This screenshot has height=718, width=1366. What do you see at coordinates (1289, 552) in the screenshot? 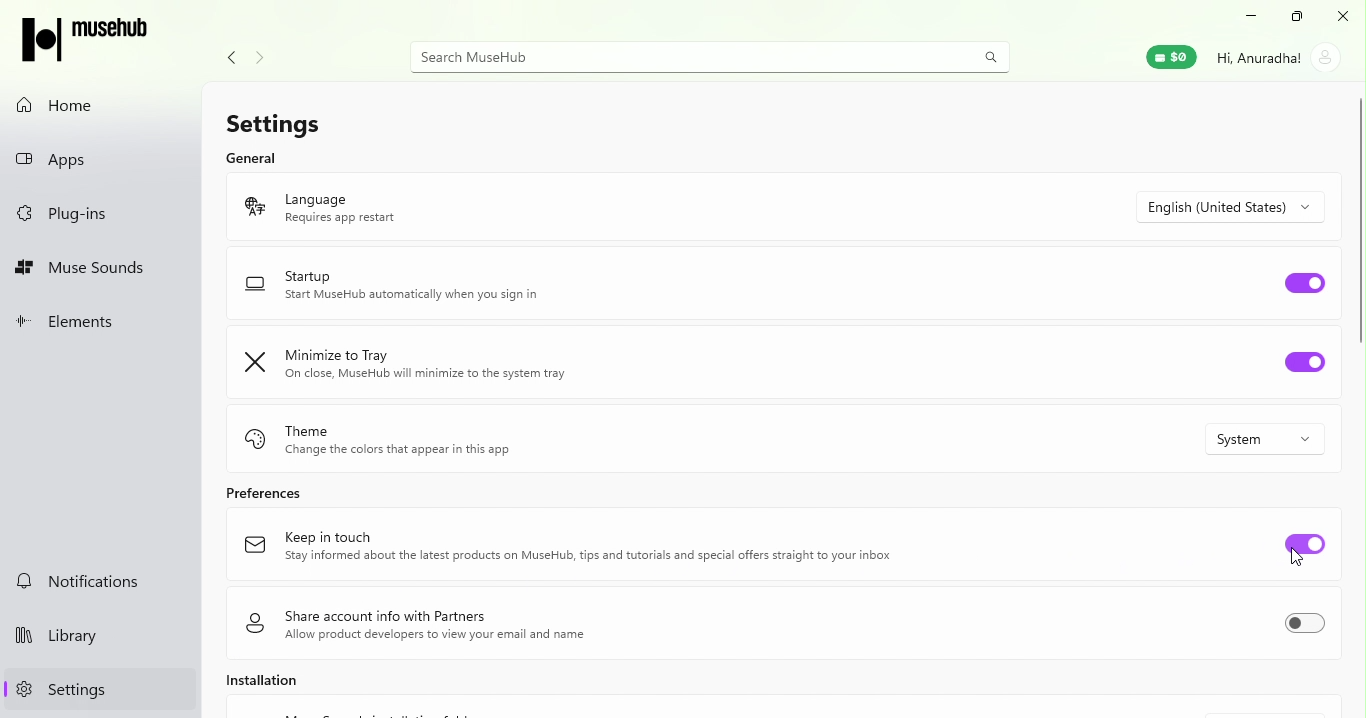
I see `cursor` at bounding box center [1289, 552].